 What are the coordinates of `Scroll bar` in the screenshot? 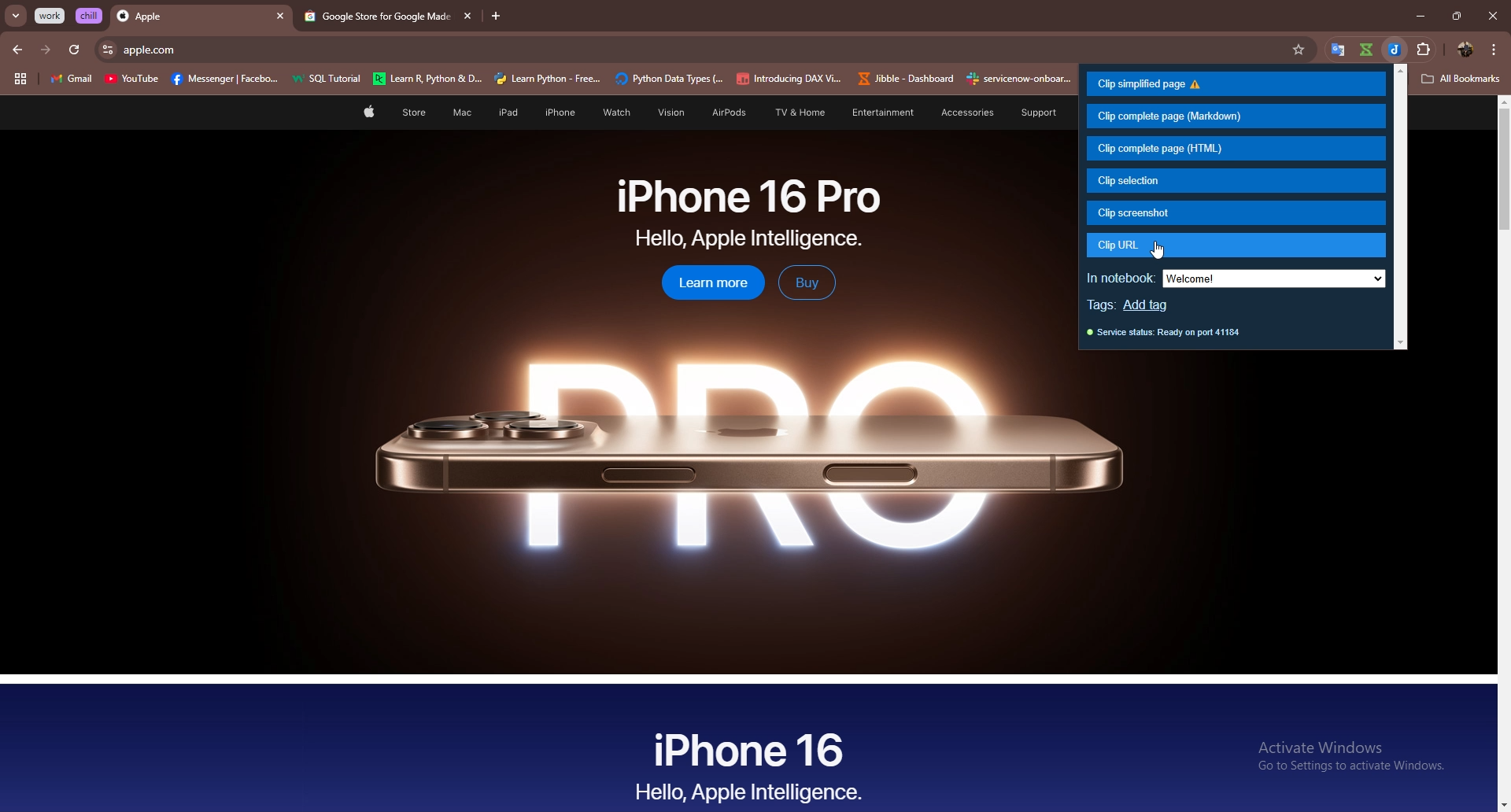 It's located at (1501, 453).